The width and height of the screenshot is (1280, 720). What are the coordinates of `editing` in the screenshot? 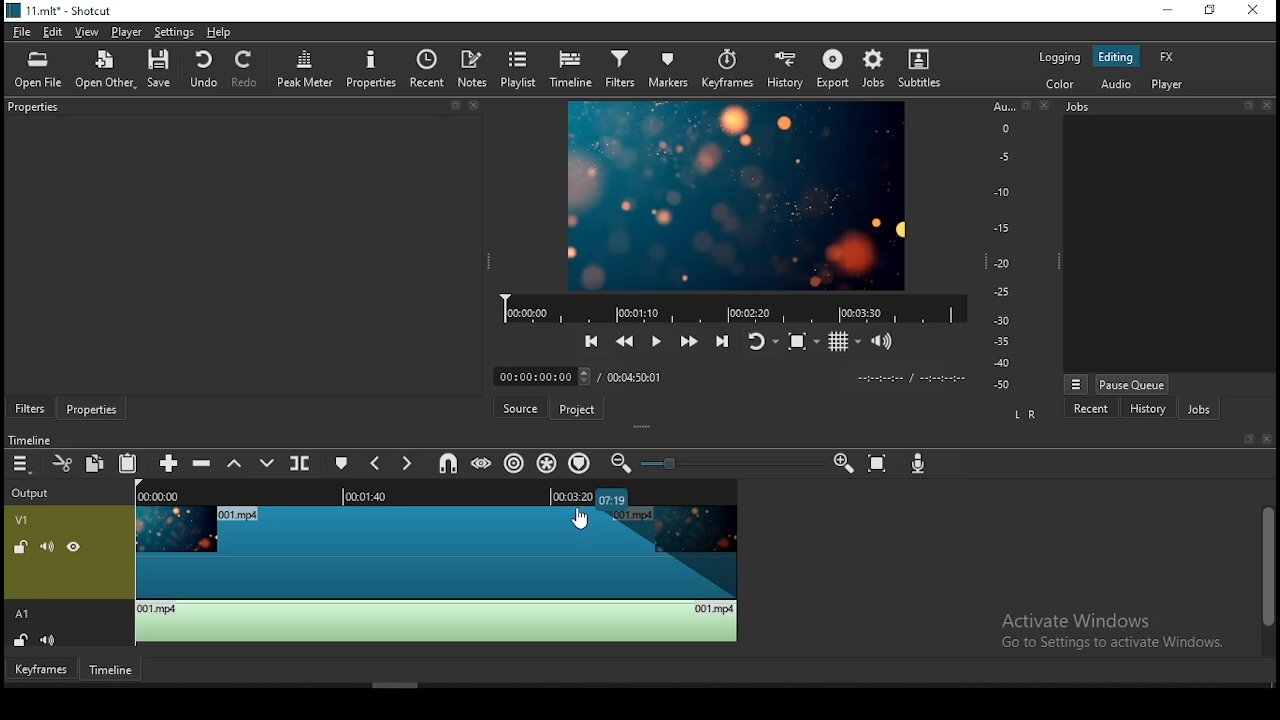 It's located at (1116, 57).